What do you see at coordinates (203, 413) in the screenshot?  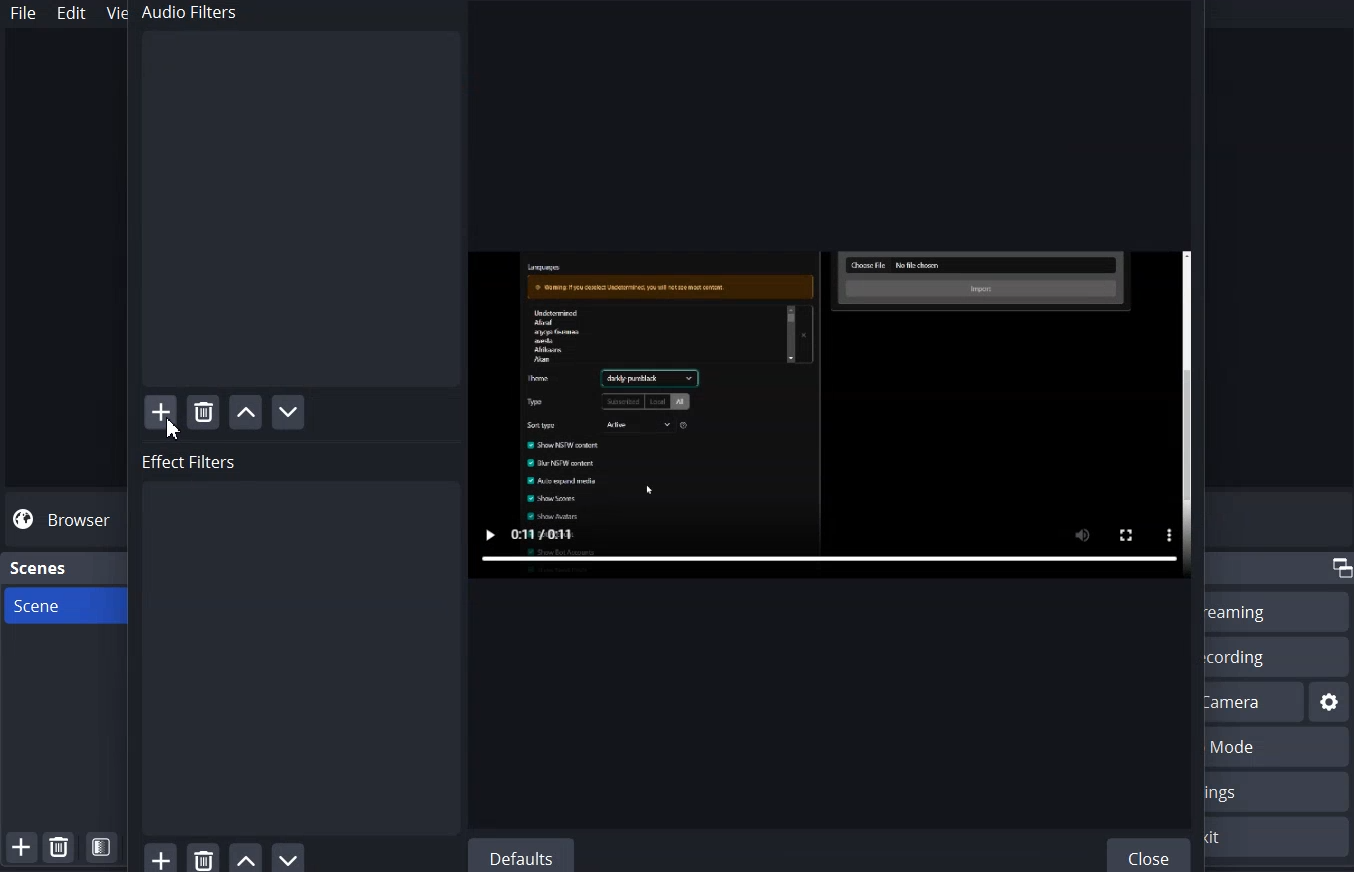 I see `Remove Filter` at bounding box center [203, 413].